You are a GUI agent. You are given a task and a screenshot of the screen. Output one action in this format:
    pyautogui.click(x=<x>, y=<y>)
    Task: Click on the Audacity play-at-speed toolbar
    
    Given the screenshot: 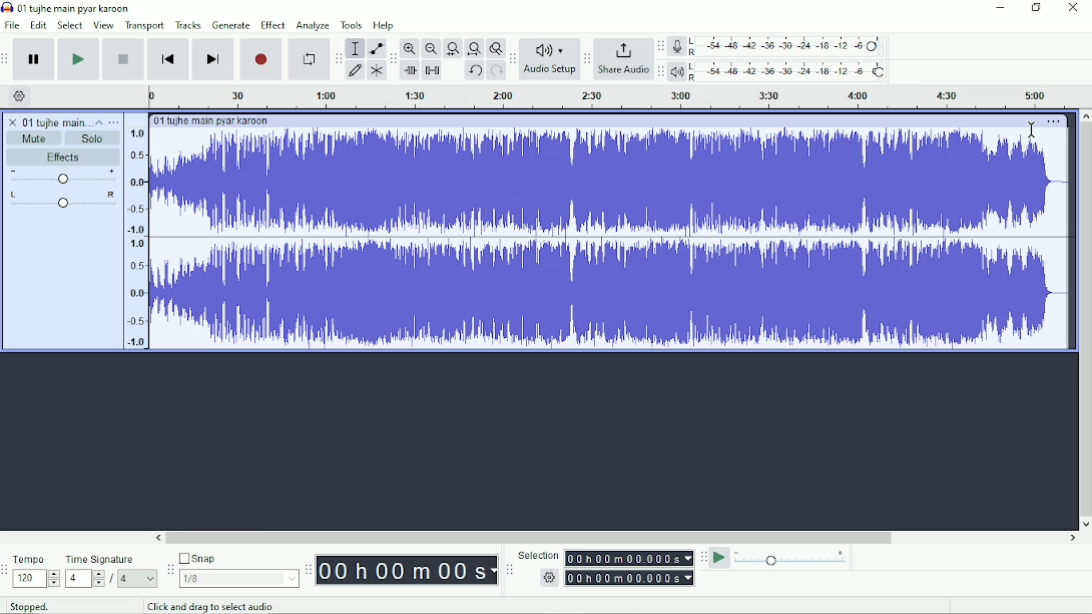 What is the action you would take?
    pyautogui.click(x=703, y=558)
    